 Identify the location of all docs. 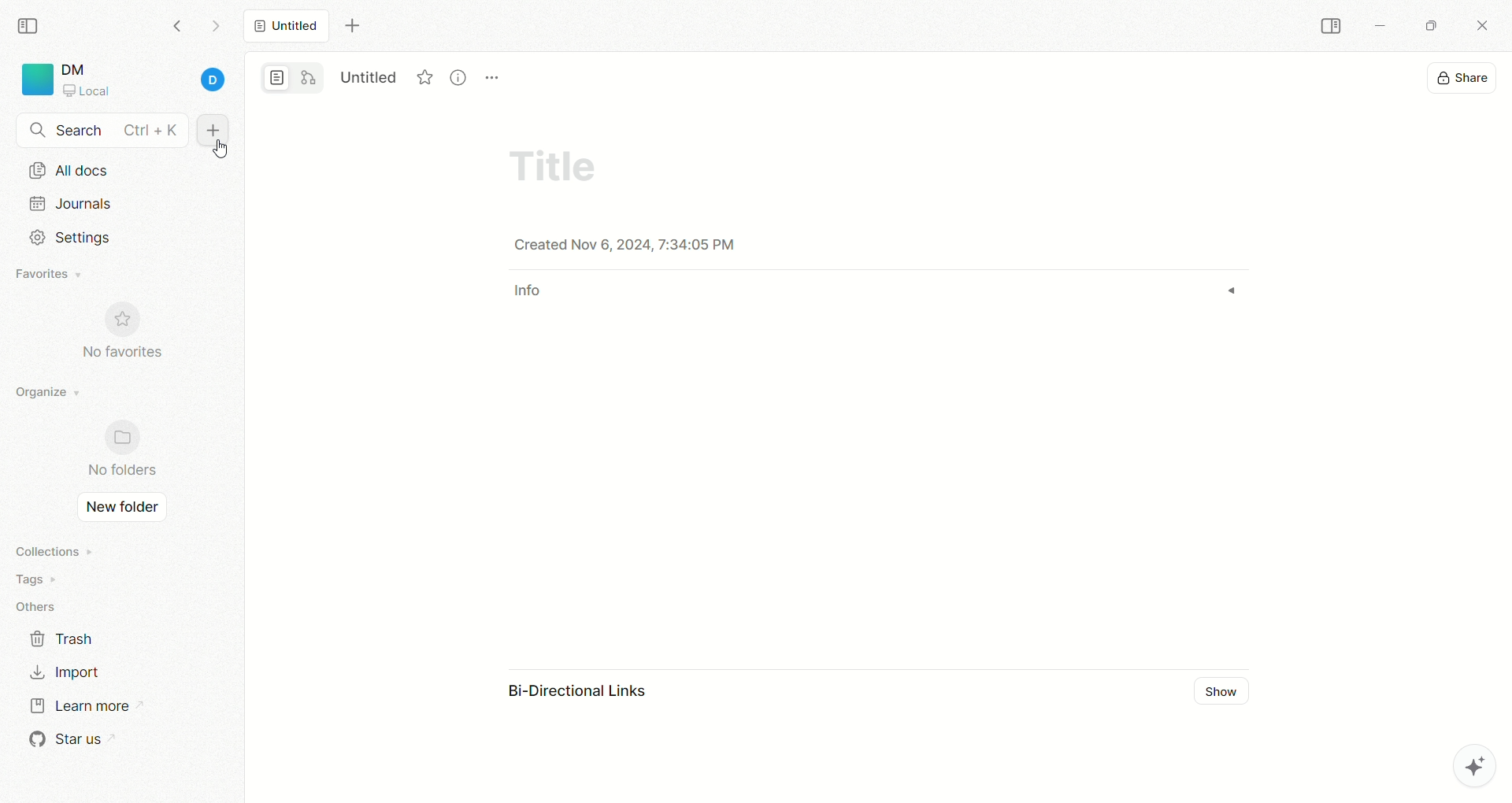
(69, 170).